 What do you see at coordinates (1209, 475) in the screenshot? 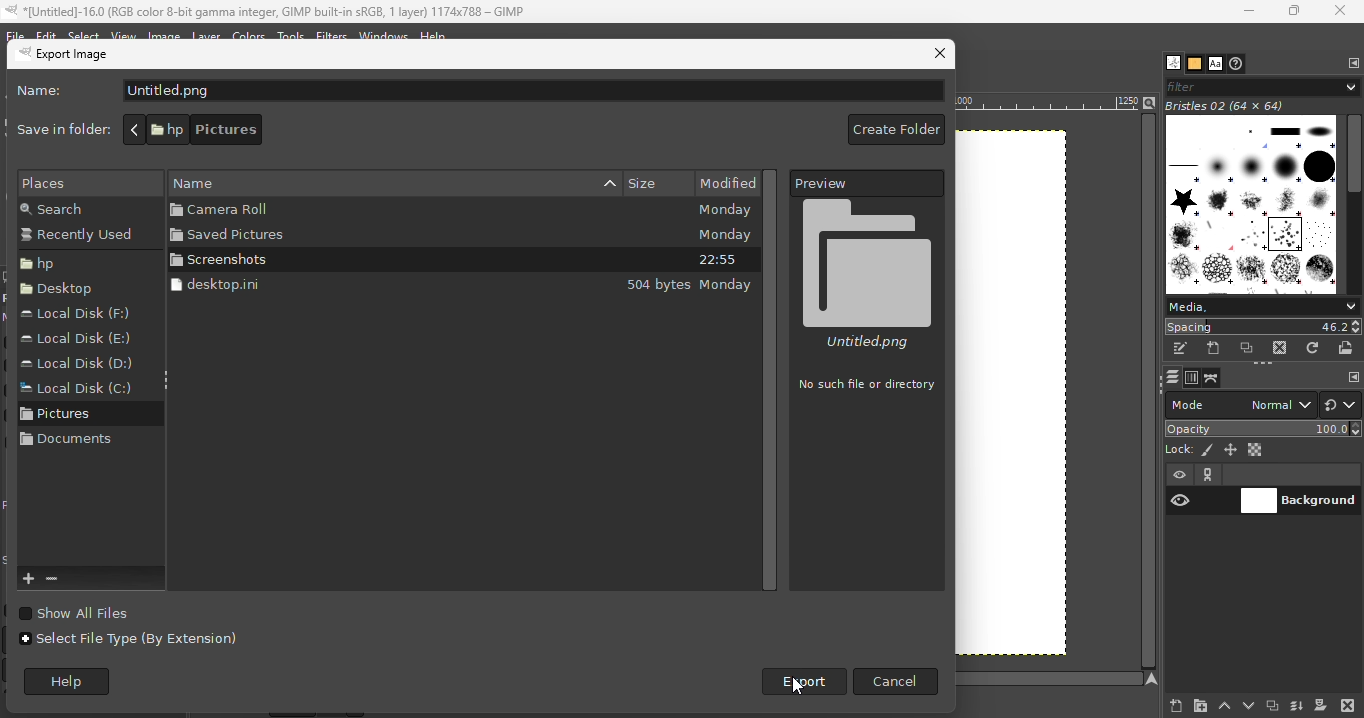
I see `background visibility` at bounding box center [1209, 475].